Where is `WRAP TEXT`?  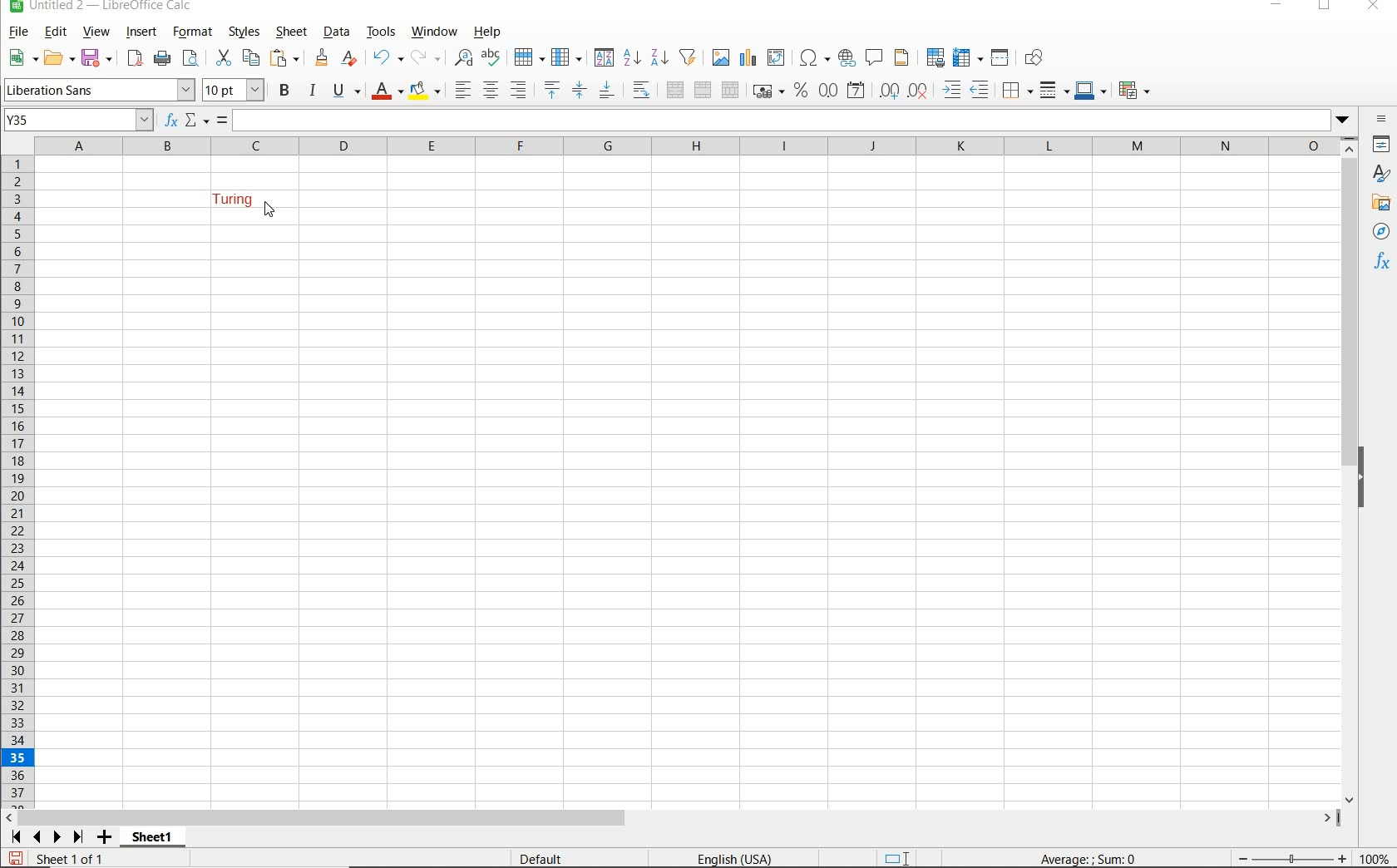
WRAP TEXT is located at coordinates (642, 91).